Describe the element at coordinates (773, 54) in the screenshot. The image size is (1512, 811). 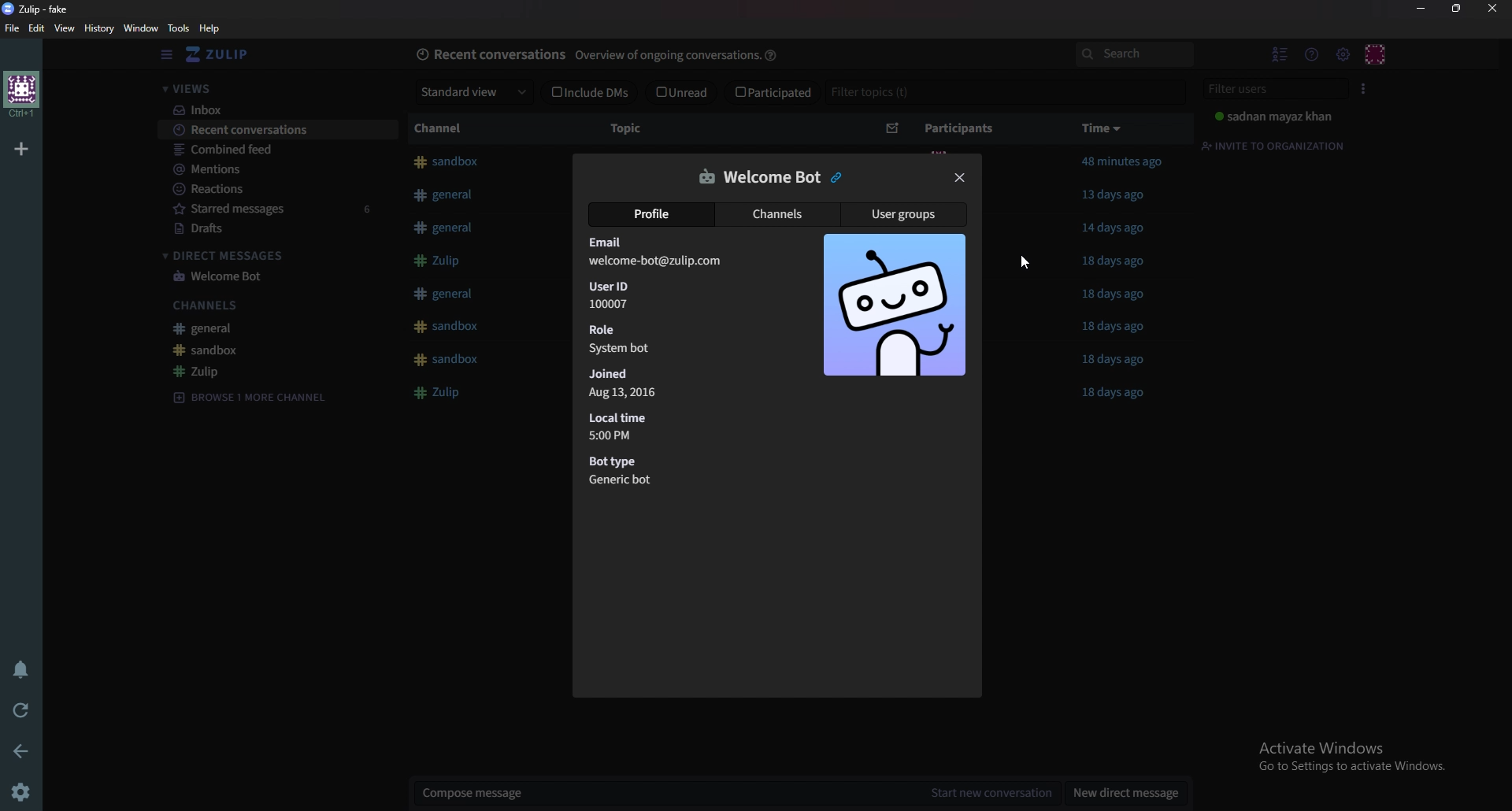
I see `help` at that location.